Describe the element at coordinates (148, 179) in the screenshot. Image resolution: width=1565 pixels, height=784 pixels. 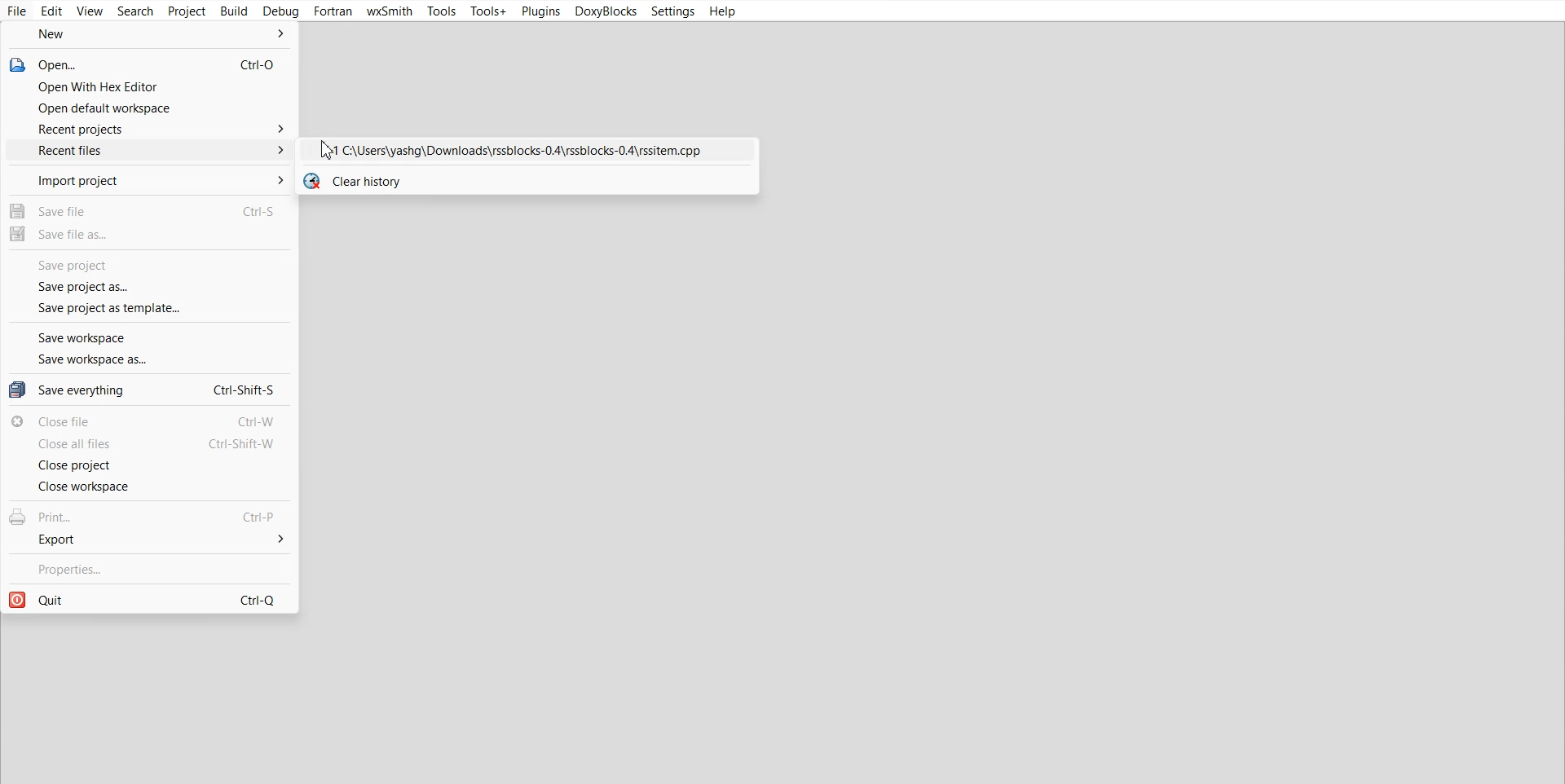
I see `Import project` at that location.